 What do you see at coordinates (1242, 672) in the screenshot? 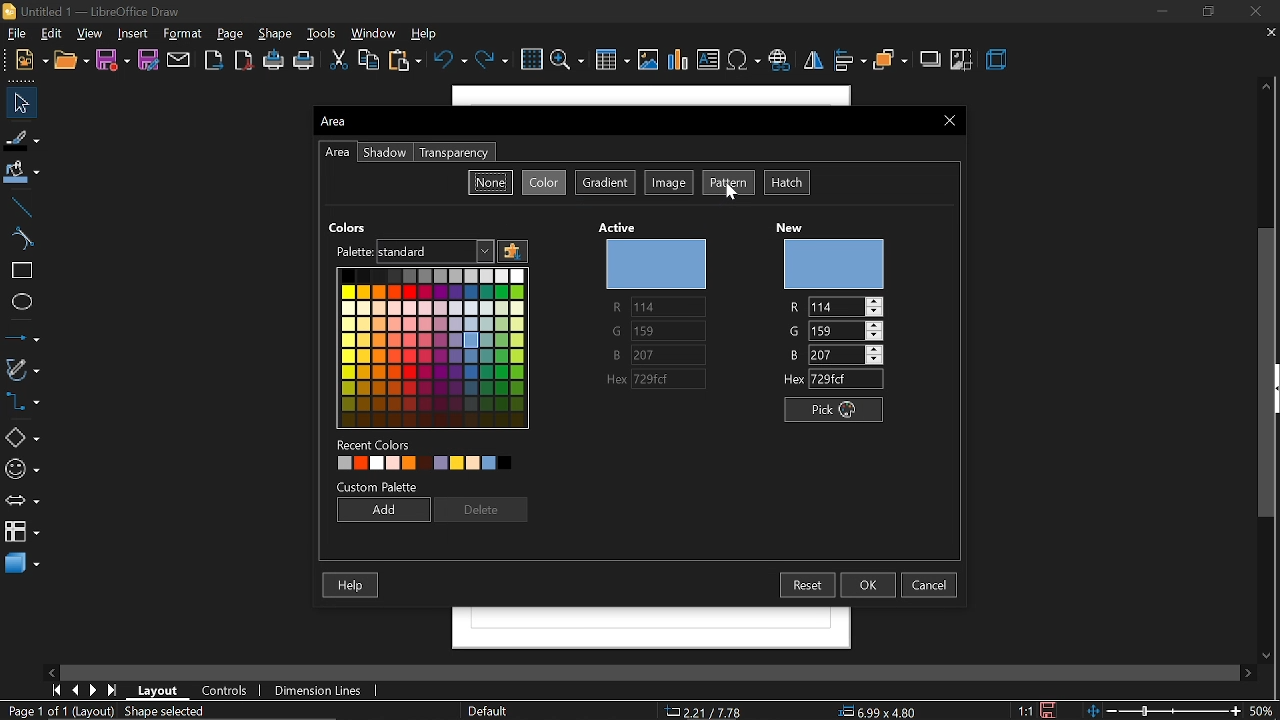
I see `move right` at bounding box center [1242, 672].